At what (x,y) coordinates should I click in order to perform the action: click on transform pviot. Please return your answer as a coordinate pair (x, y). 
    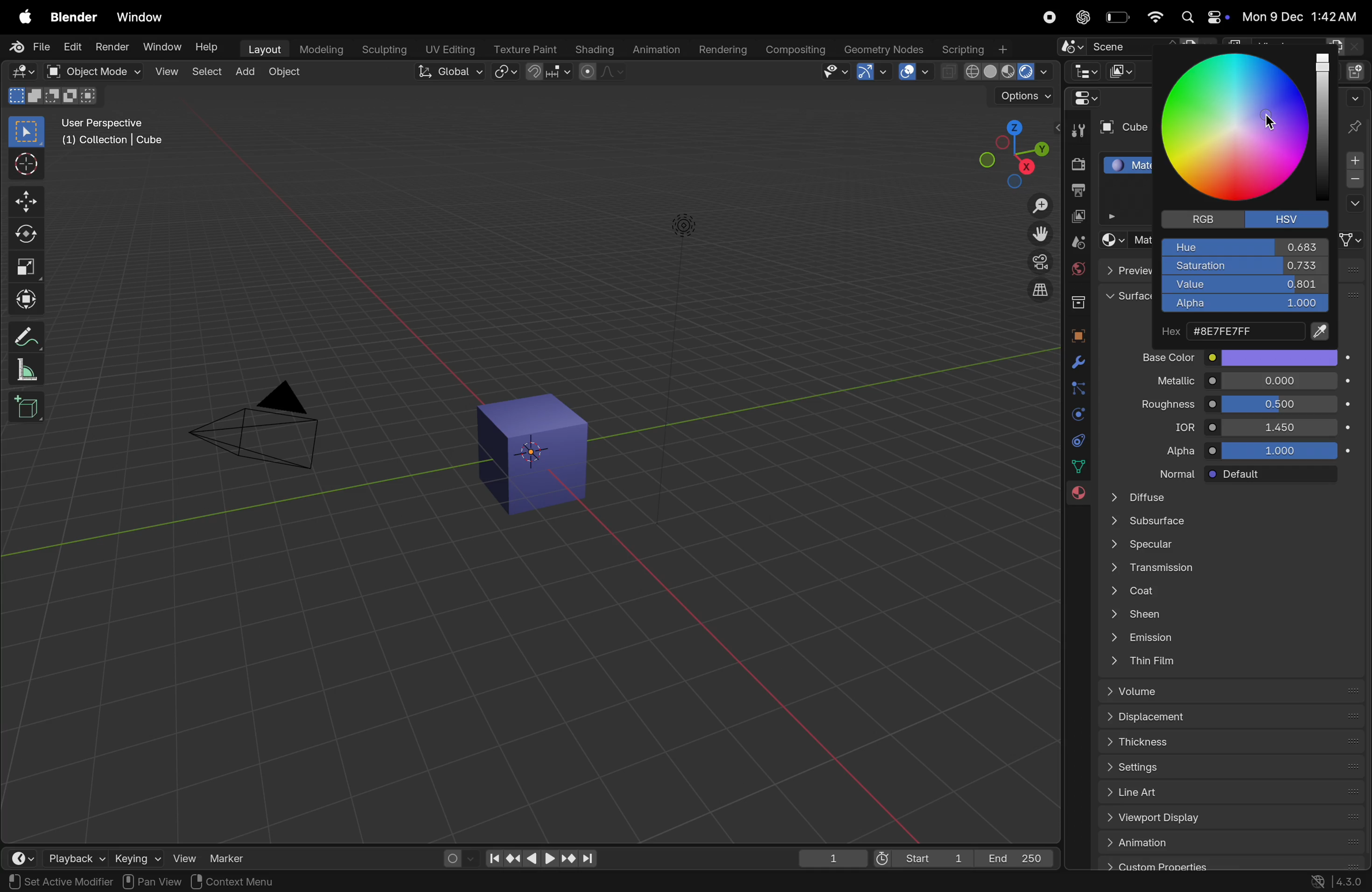
    Looking at the image, I should click on (506, 72).